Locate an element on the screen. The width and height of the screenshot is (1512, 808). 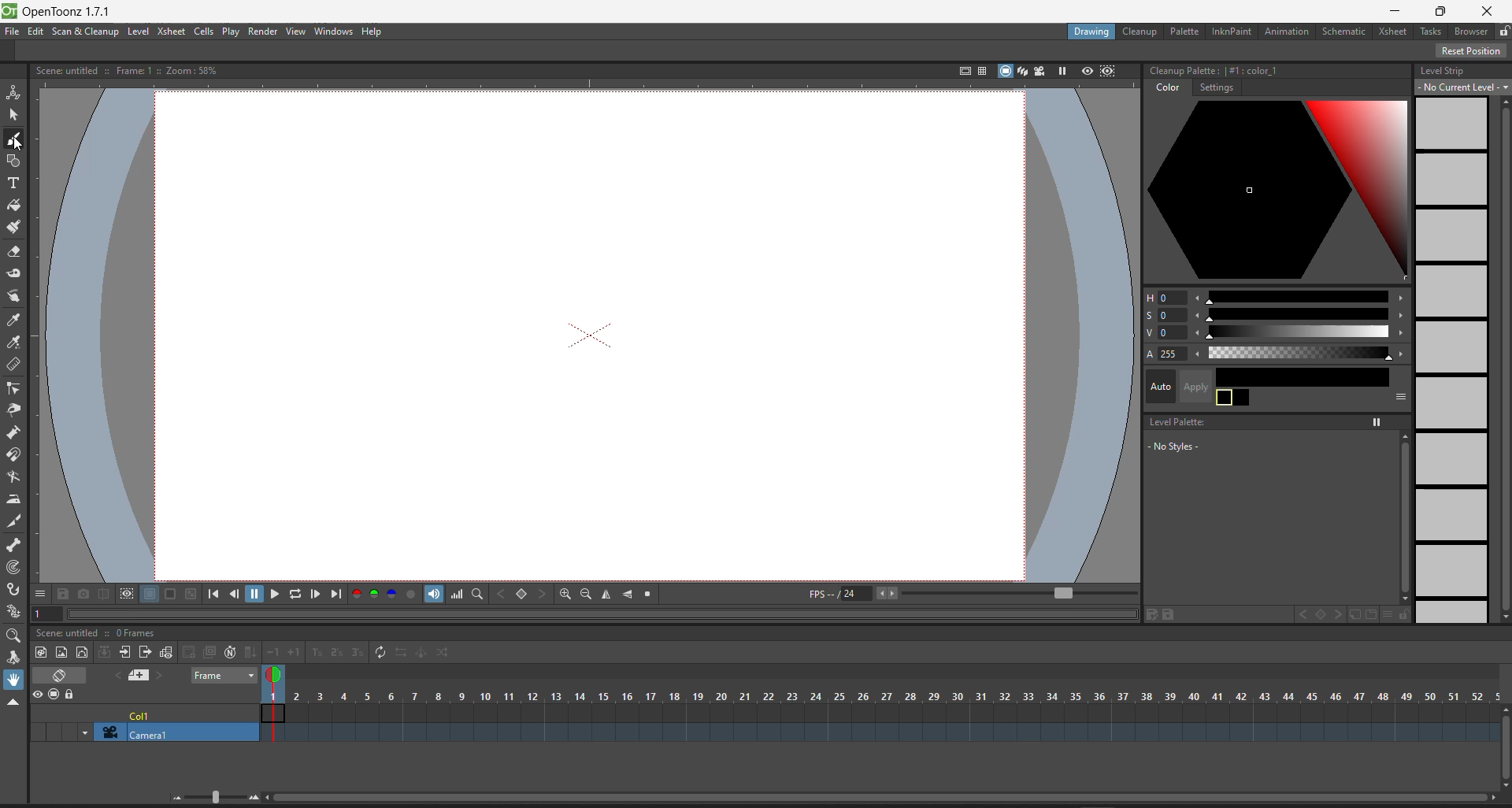
metadata is located at coordinates (125, 69).